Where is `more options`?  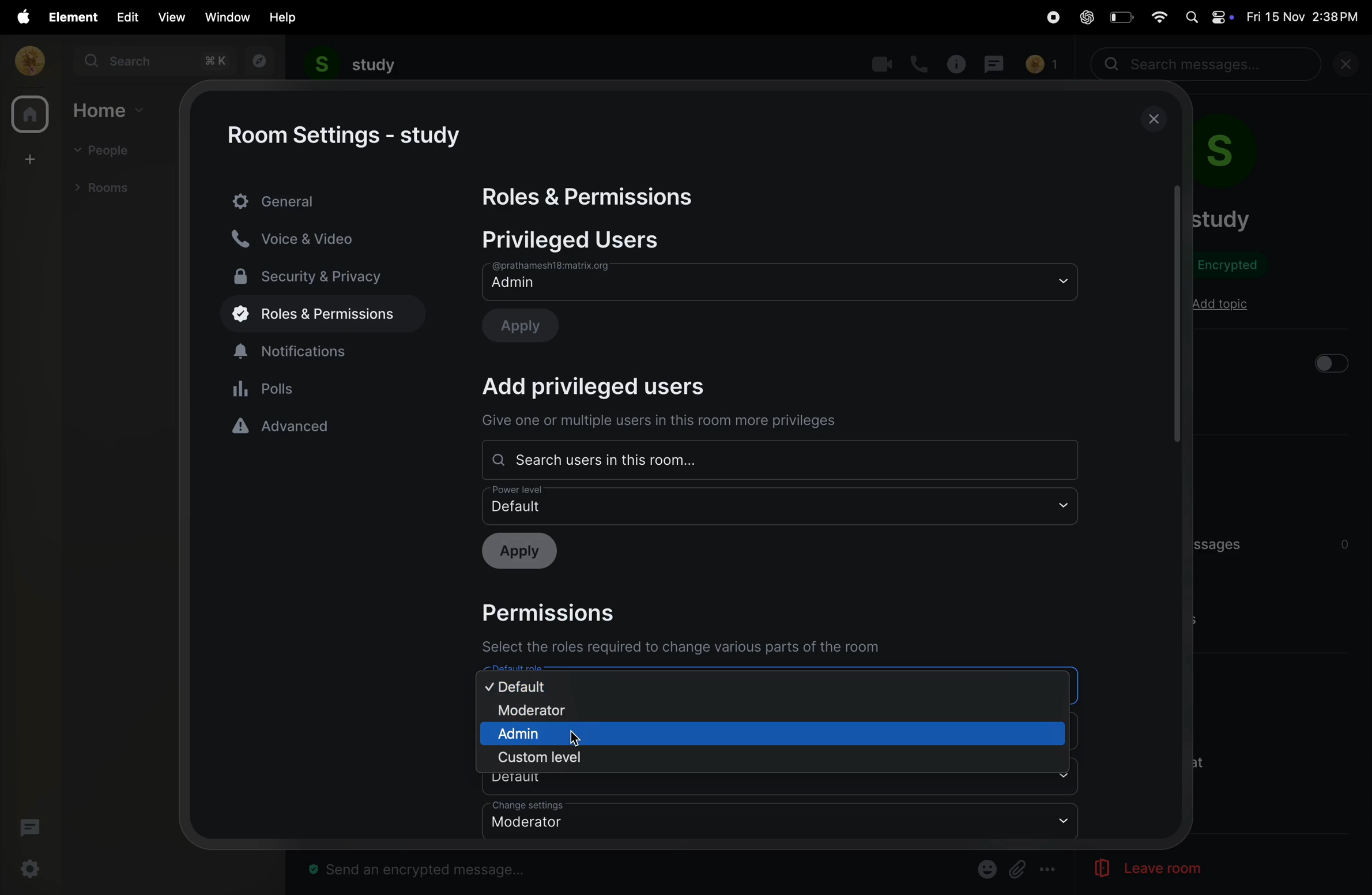 more options is located at coordinates (1049, 870).